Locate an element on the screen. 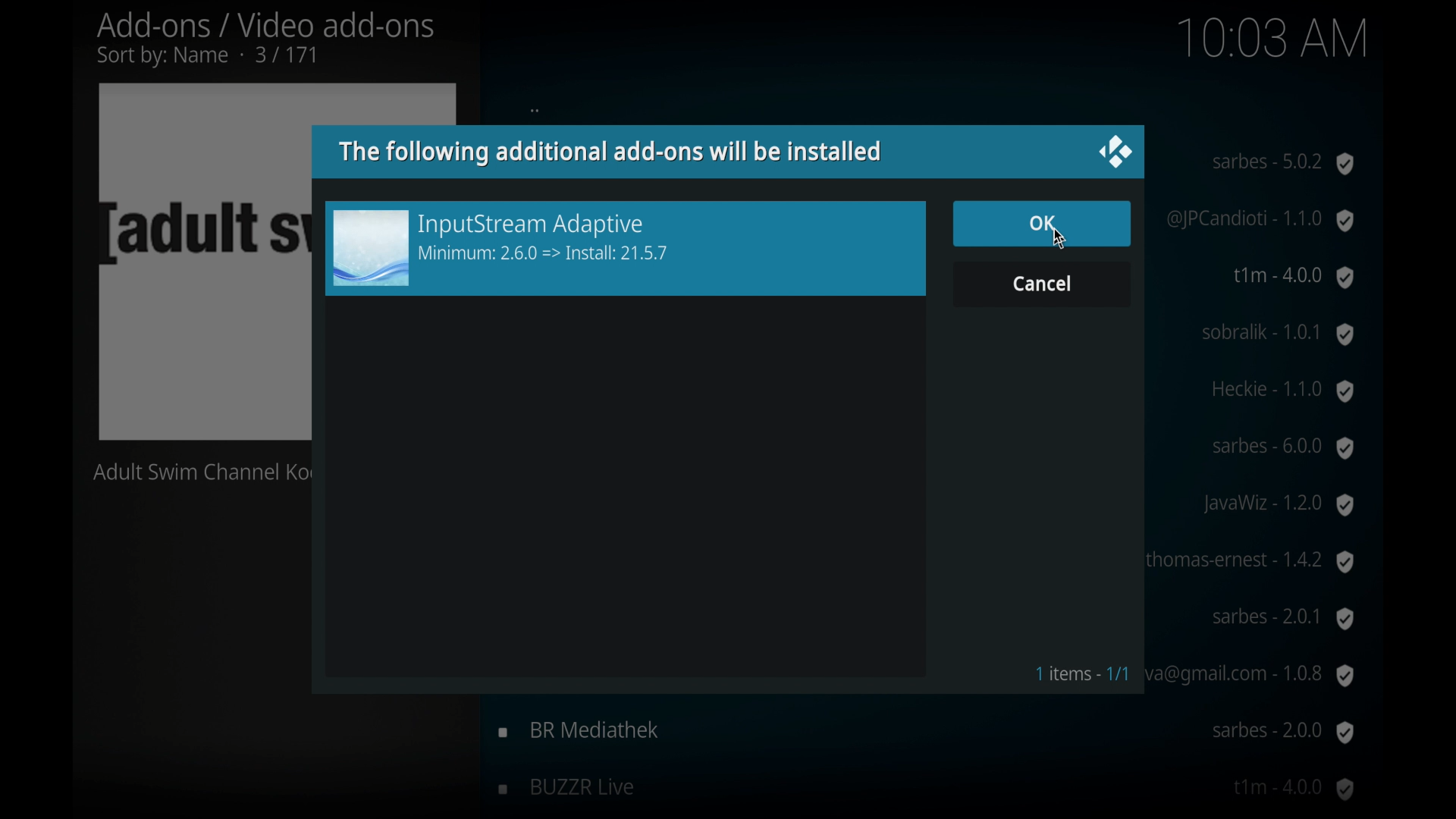 This screenshot has height=819, width=1456. close is located at coordinates (1116, 152).